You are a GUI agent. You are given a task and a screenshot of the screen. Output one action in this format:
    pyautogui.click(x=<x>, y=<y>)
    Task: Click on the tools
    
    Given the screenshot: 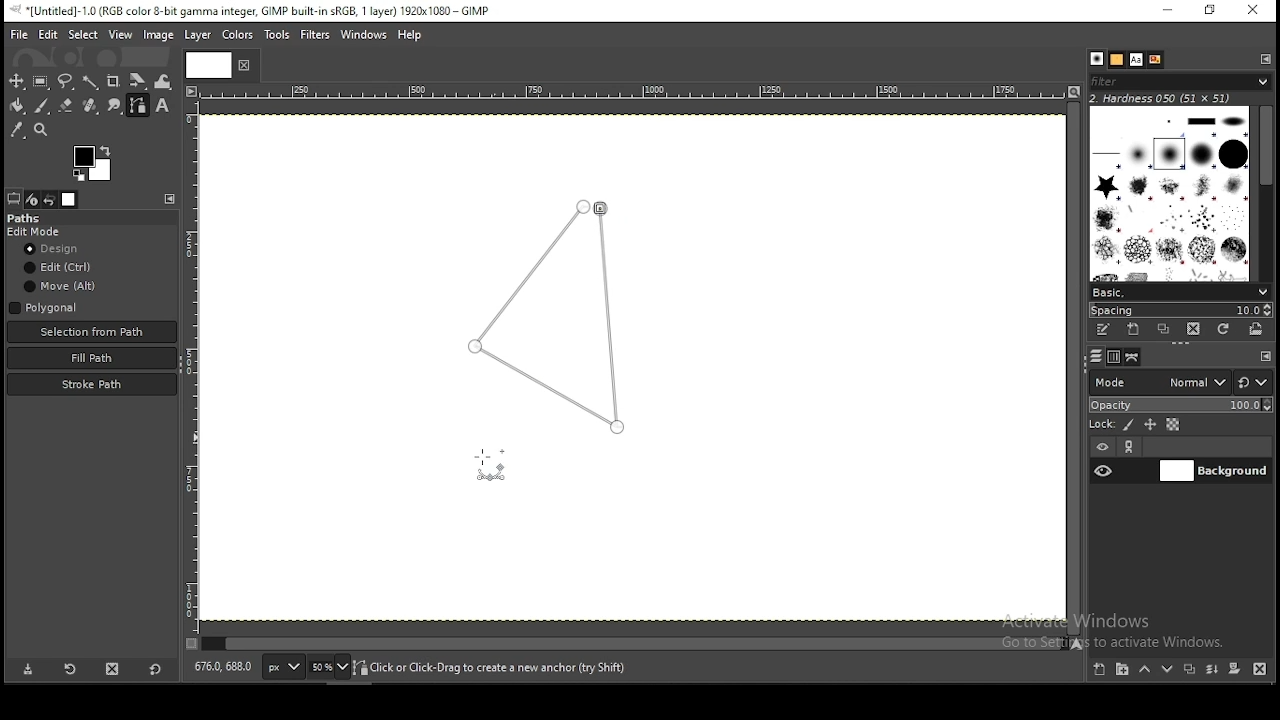 What is the action you would take?
    pyautogui.click(x=276, y=35)
    